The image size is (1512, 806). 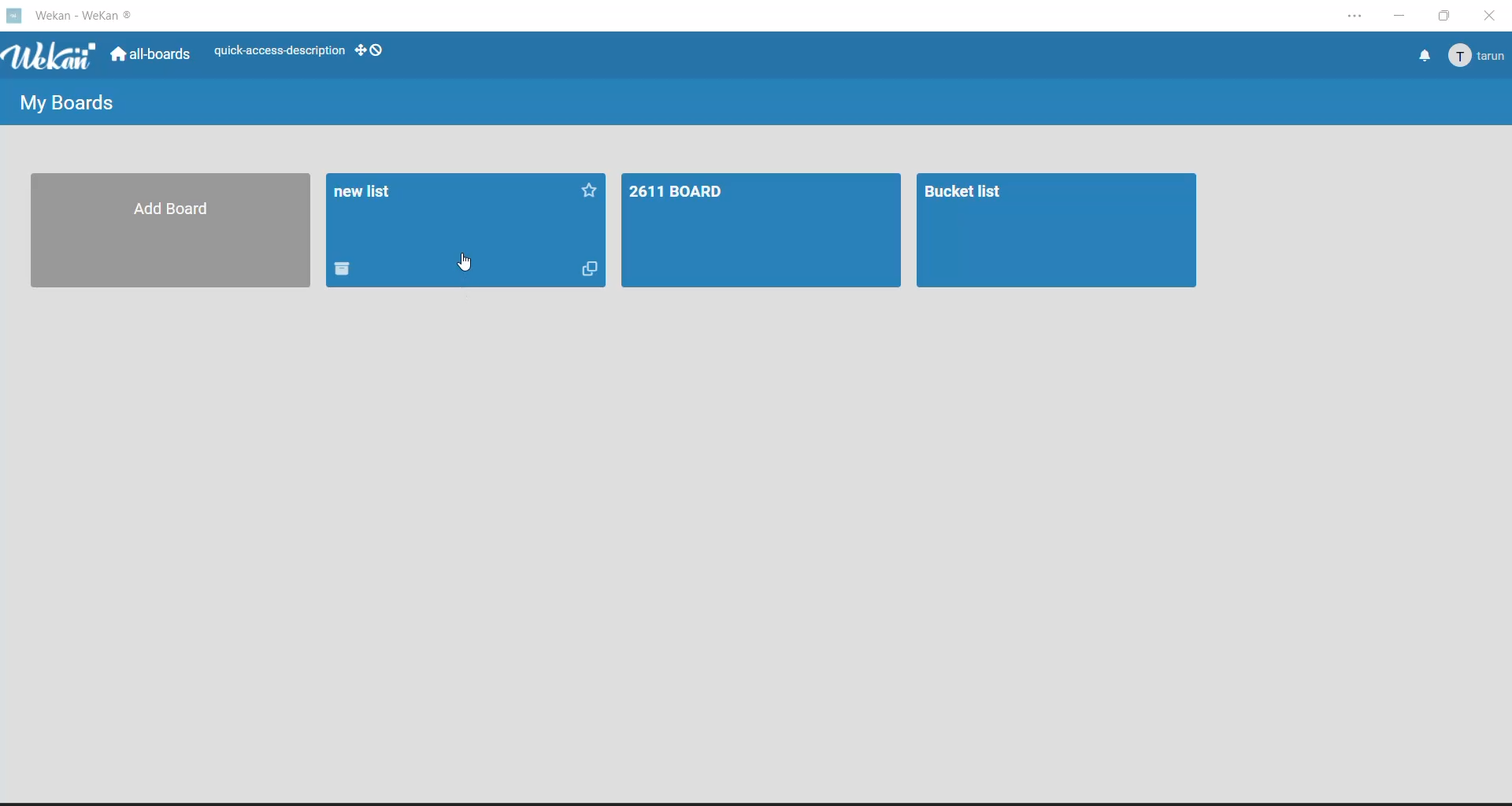 I want to click on Delete, so click(x=348, y=276).